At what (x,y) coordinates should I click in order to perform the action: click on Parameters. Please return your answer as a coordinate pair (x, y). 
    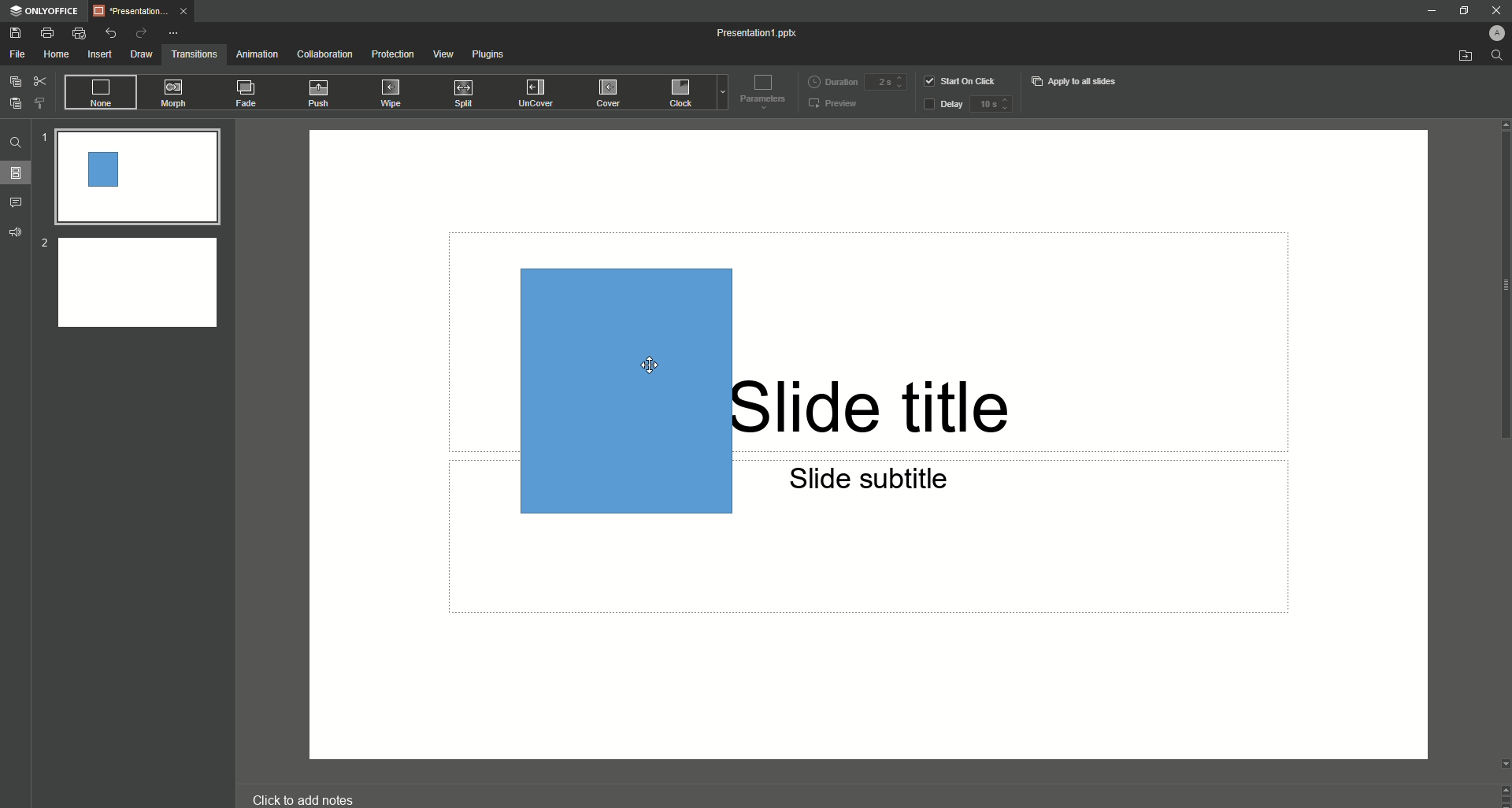
    Looking at the image, I should click on (761, 95).